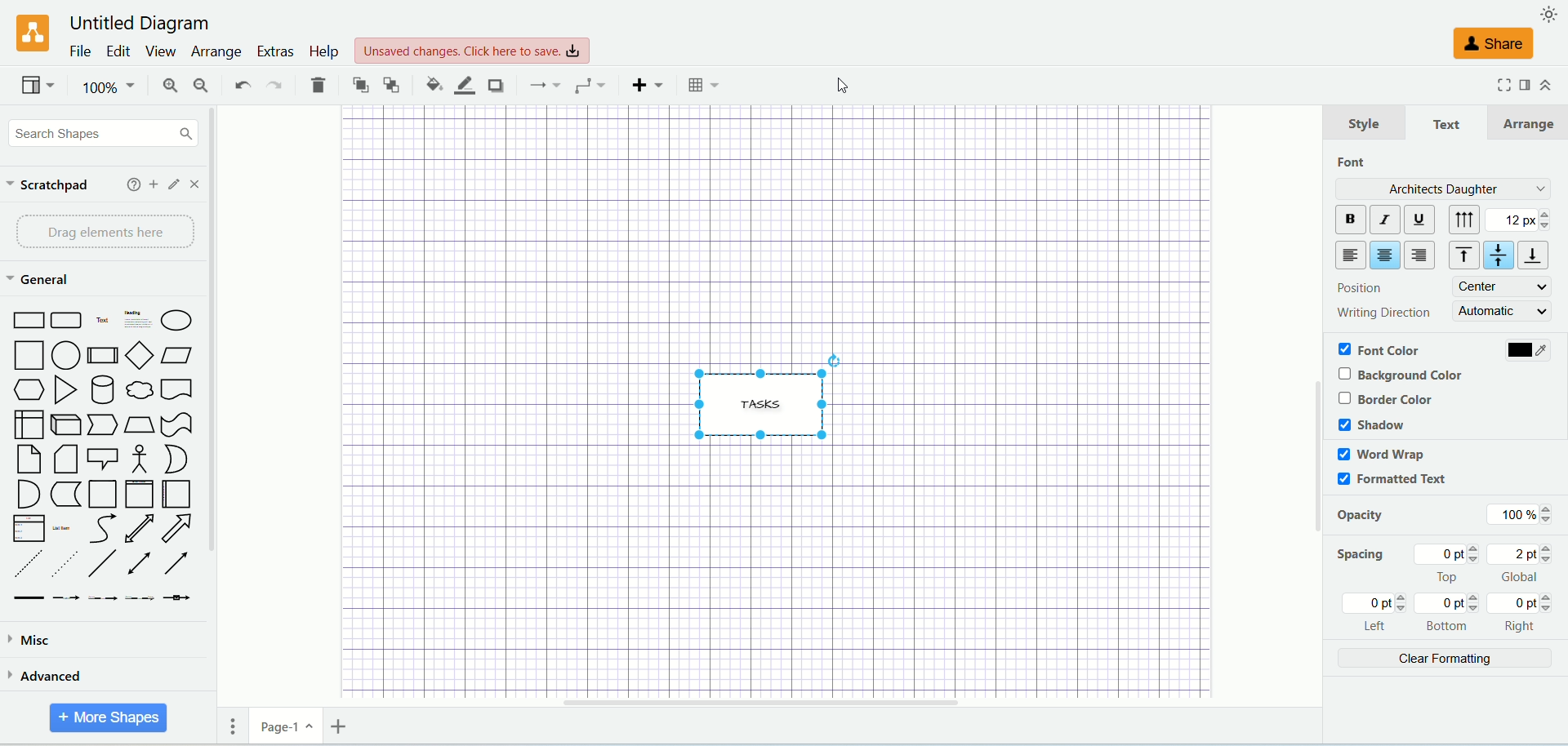 Image resolution: width=1568 pixels, height=746 pixels. I want to click on Square , so click(27, 355).